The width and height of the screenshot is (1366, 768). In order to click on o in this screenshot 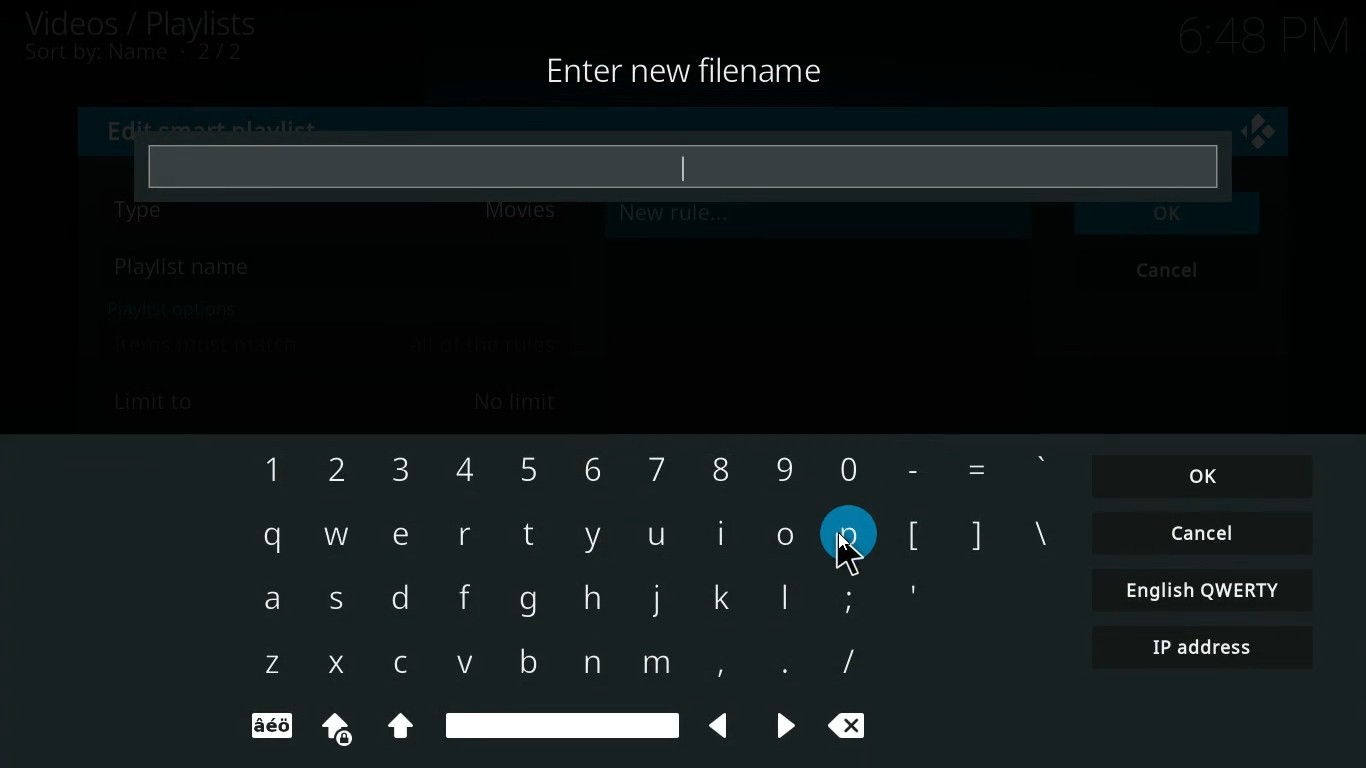, I will do `click(786, 534)`.